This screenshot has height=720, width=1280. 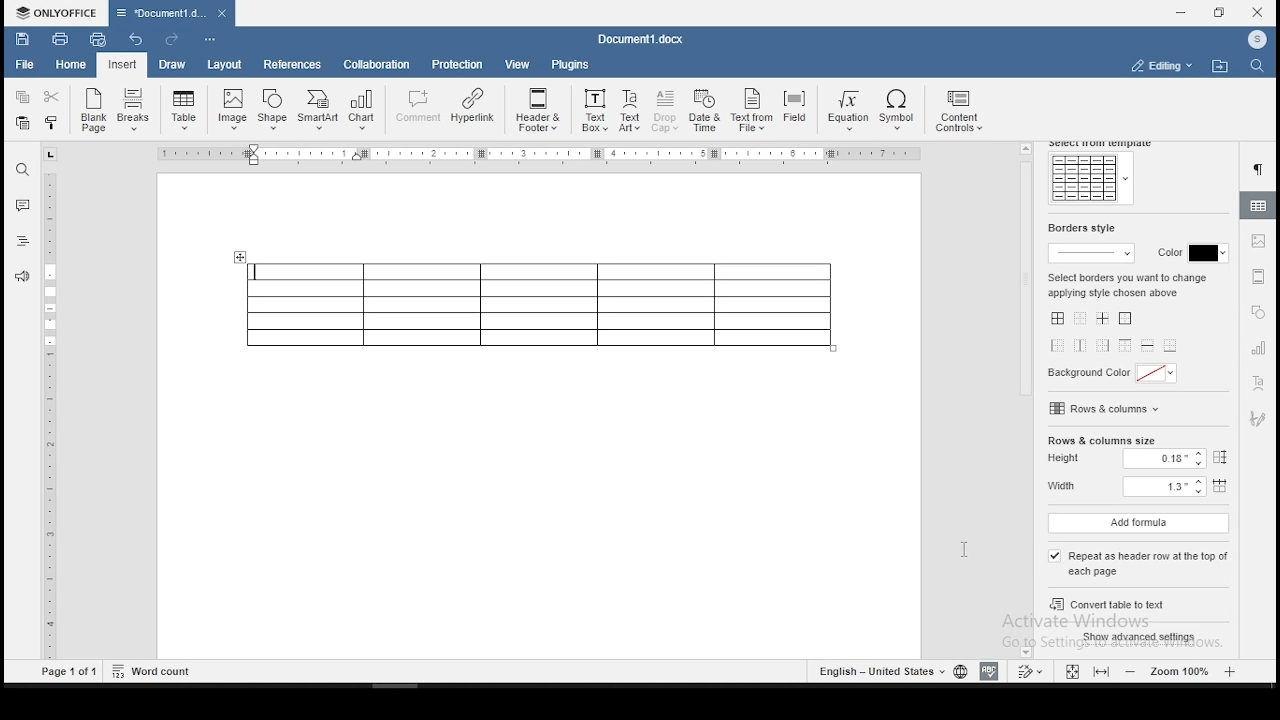 I want to click on repeat as header row at the top of each page, so click(x=1142, y=564).